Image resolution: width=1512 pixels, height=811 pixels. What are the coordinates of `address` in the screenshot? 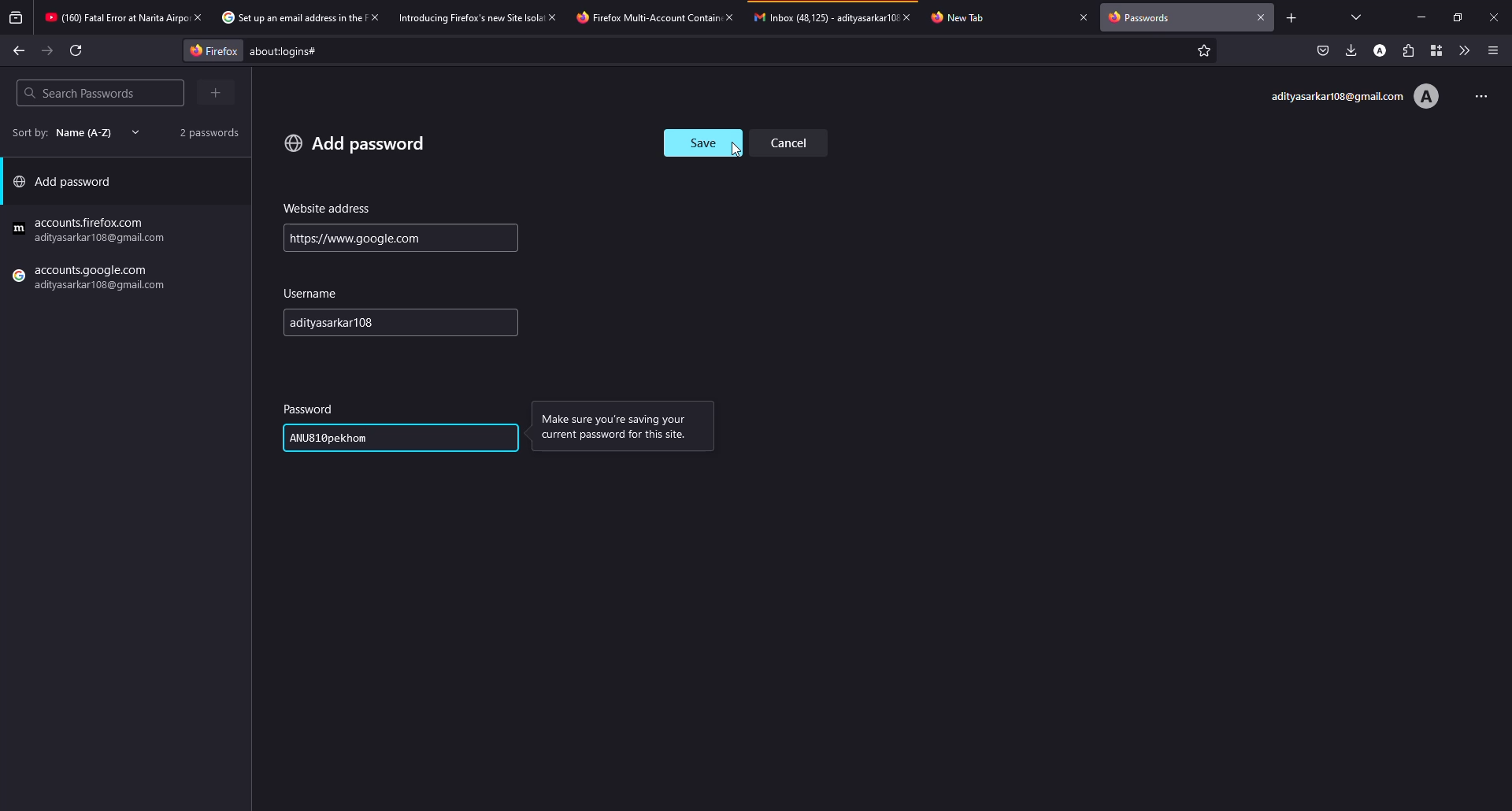 It's located at (328, 209).